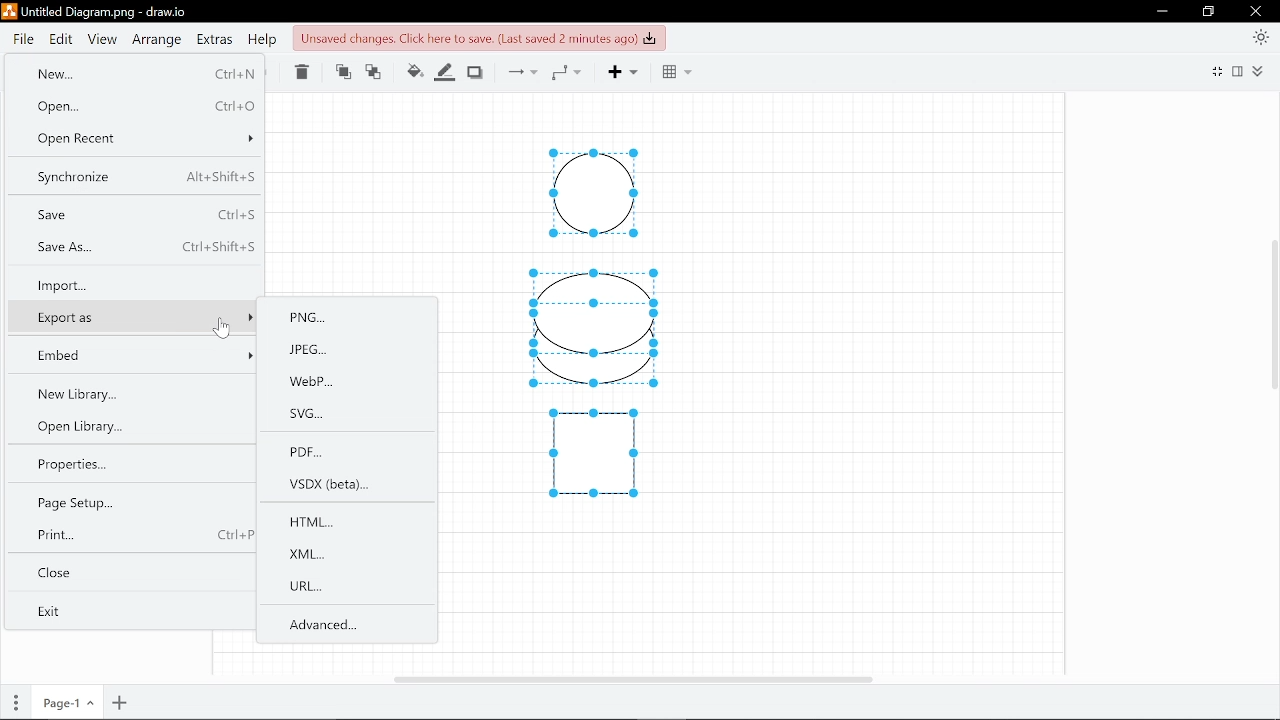  Describe the element at coordinates (351, 384) in the screenshot. I see `WebP` at that location.